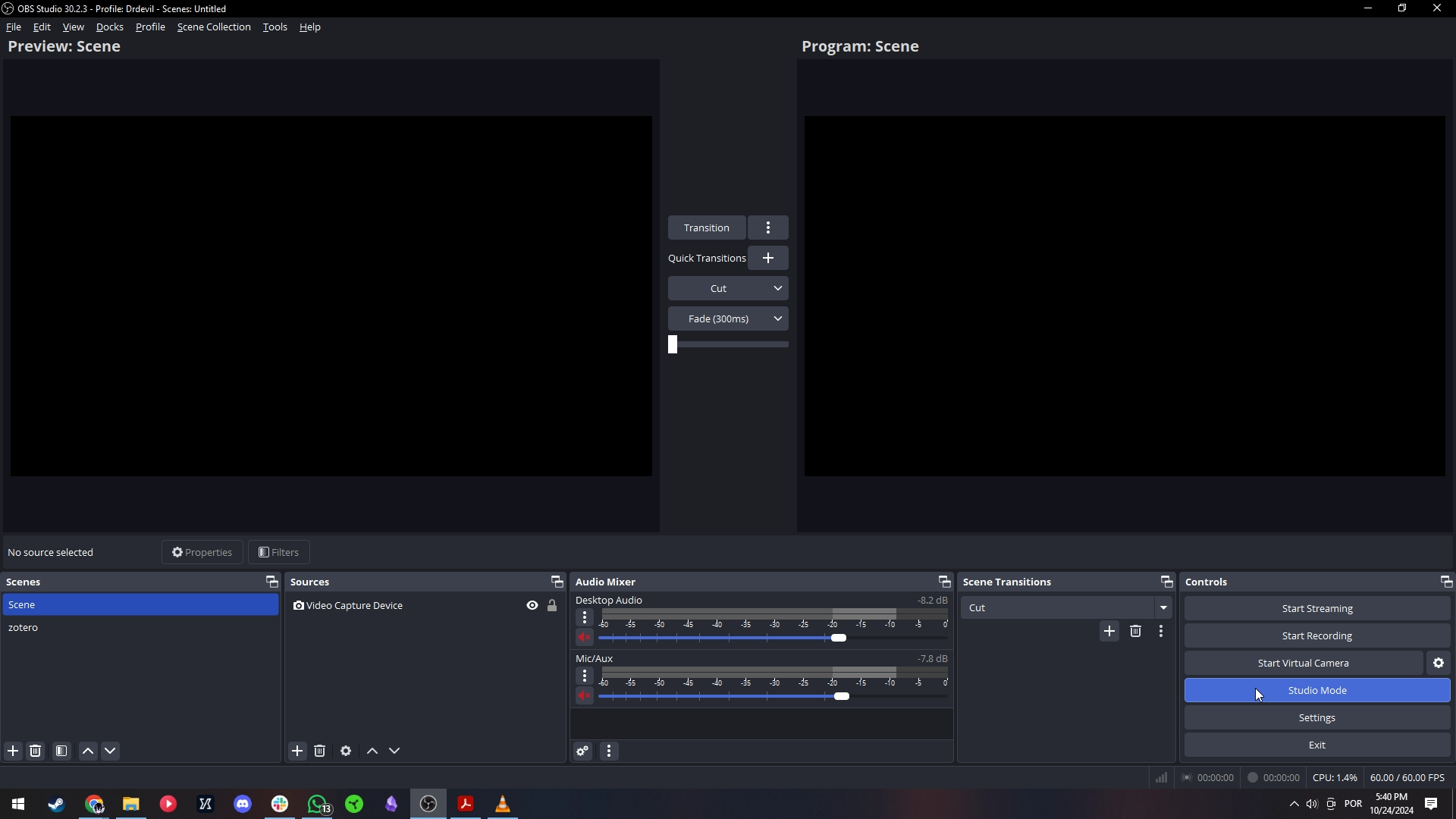 Image resolution: width=1456 pixels, height=819 pixels. Describe the element at coordinates (334, 297) in the screenshot. I see `Preview display` at that location.